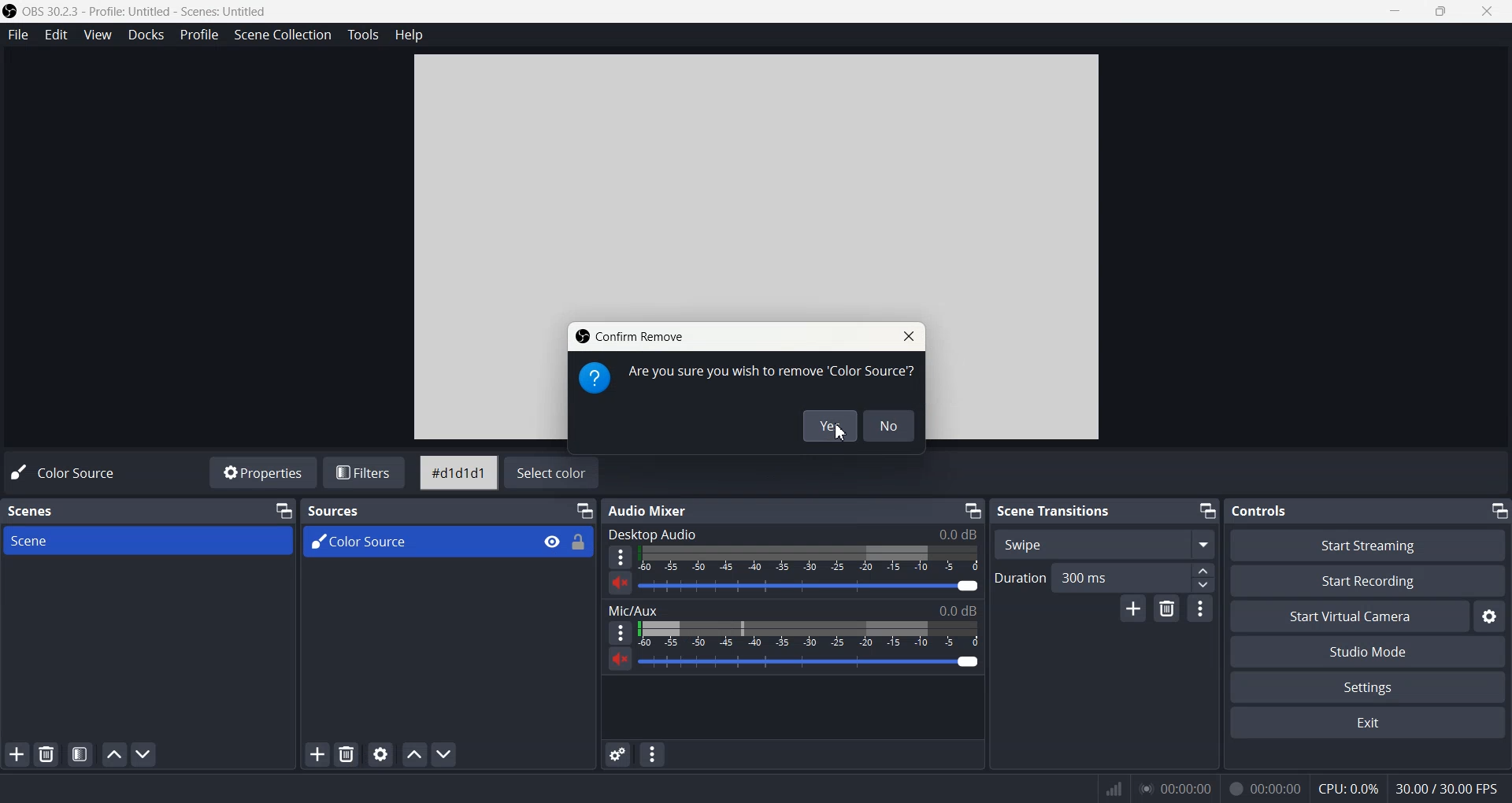 The width and height of the screenshot is (1512, 803). What do you see at coordinates (810, 661) in the screenshot?
I see `Volume Adjuster` at bounding box center [810, 661].